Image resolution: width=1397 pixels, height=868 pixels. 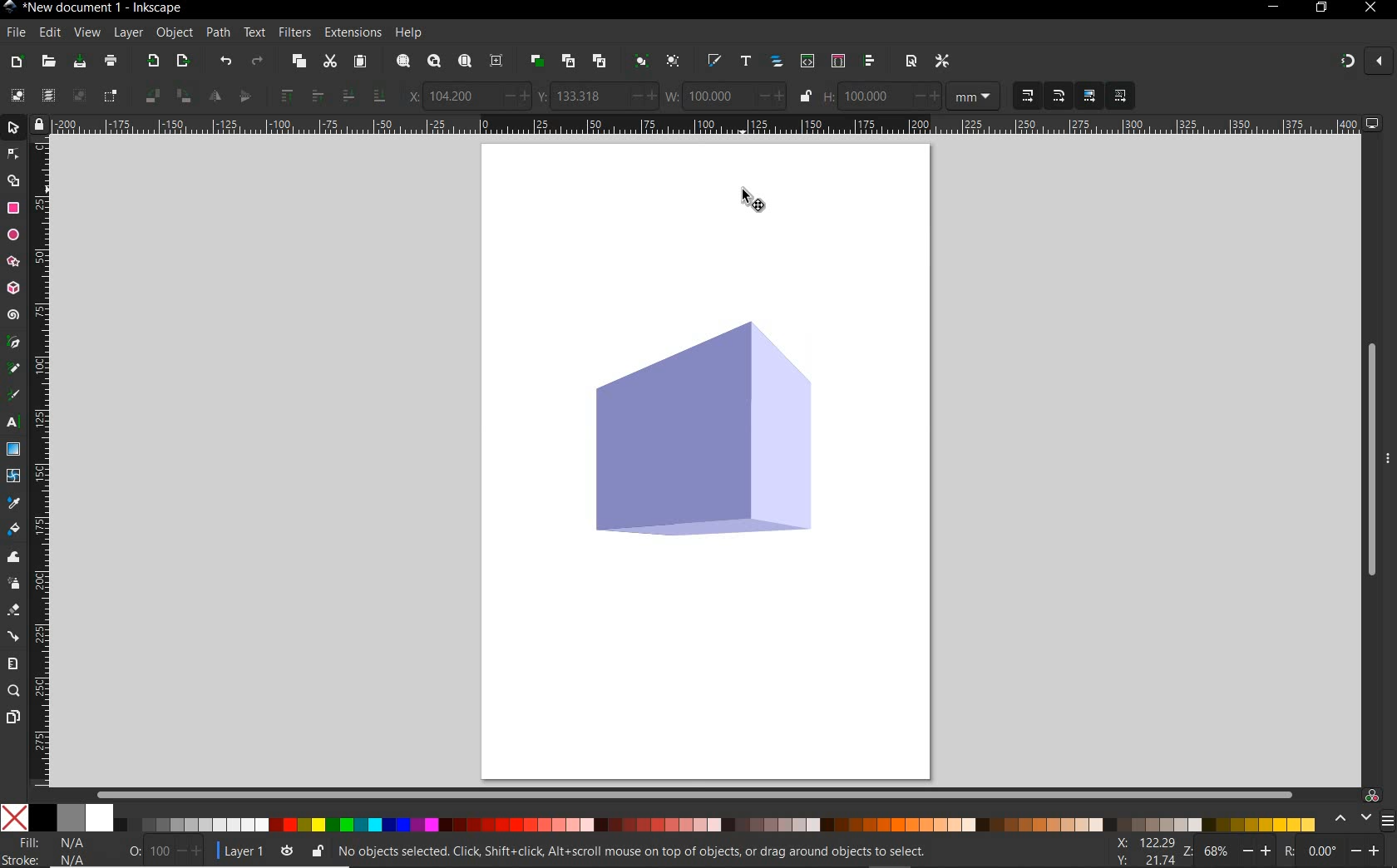 I want to click on print, so click(x=111, y=62).